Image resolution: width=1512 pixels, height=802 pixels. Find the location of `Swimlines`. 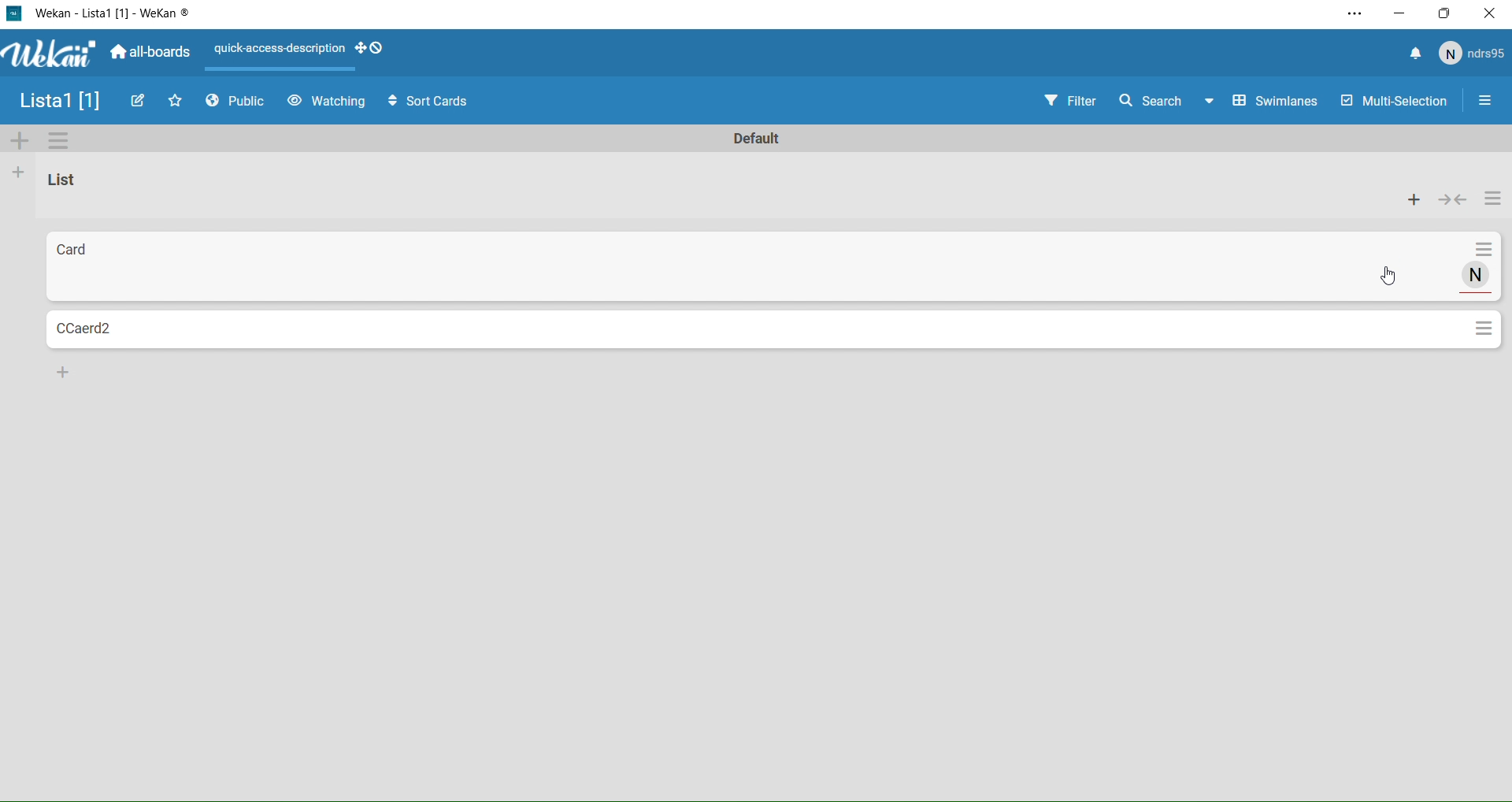

Swimlines is located at coordinates (1265, 102).